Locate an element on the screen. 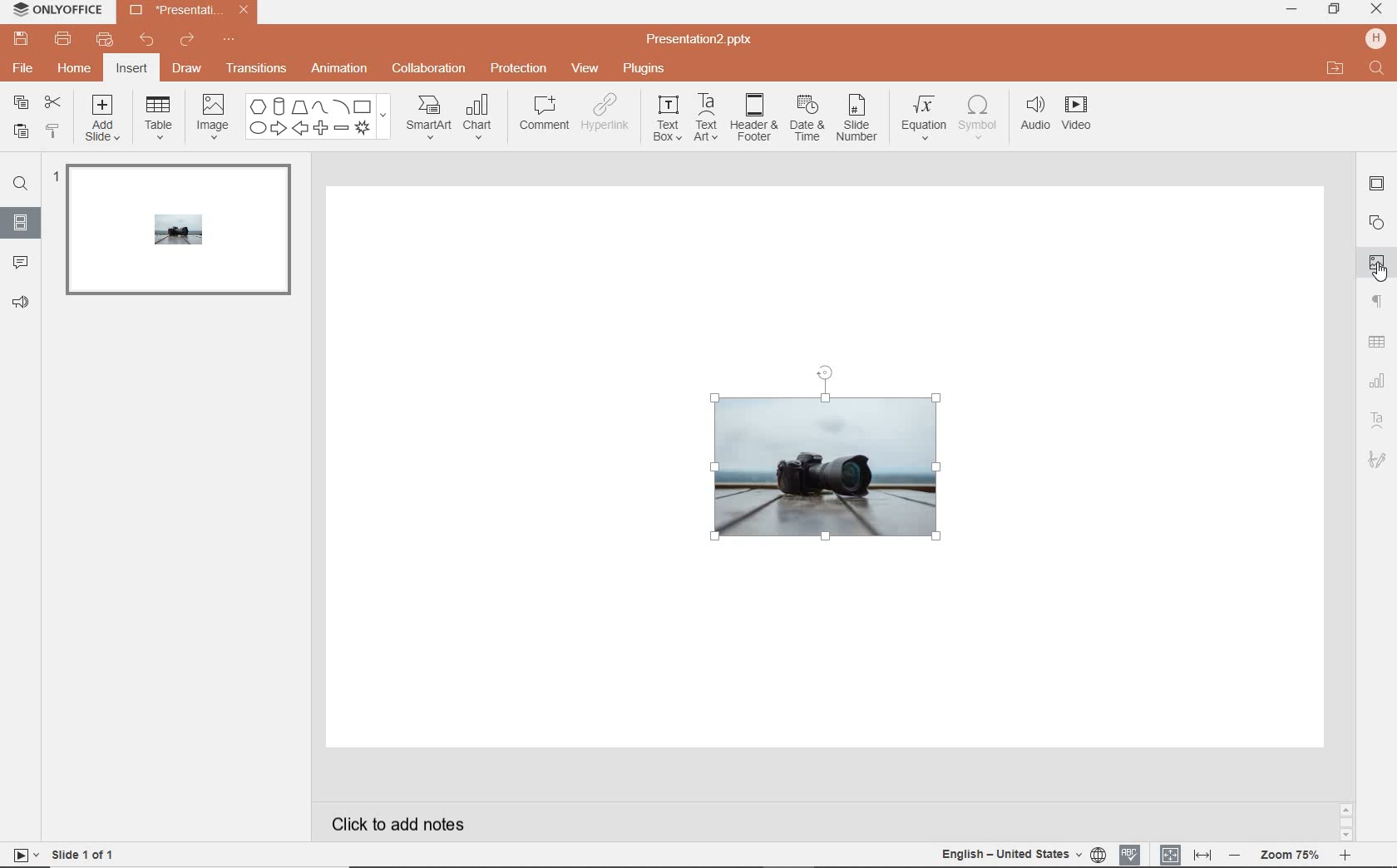 The height and width of the screenshot is (868, 1397). chart is located at coordinates (483, 118).